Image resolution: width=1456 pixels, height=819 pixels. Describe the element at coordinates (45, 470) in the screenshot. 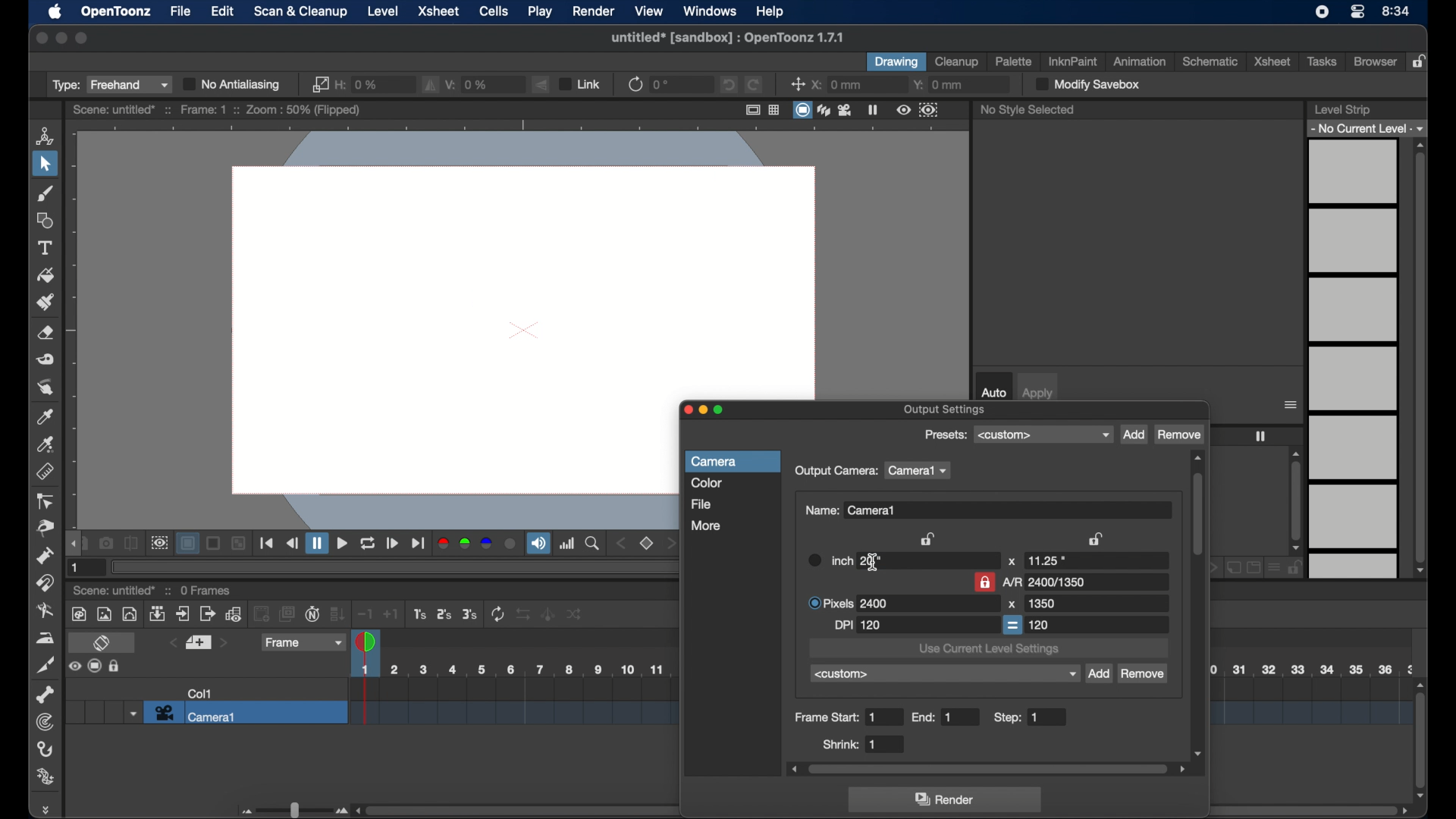

I see `ruler tool` at that location.